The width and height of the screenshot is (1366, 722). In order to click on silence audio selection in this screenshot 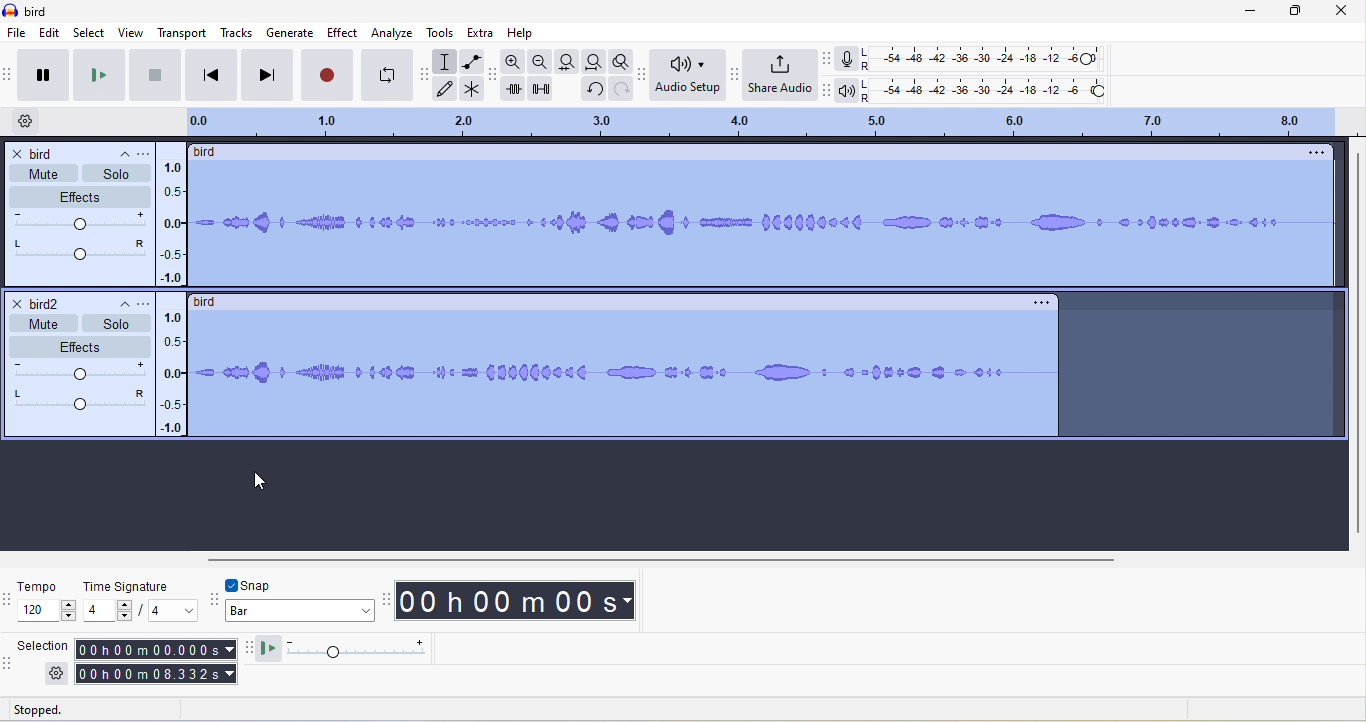, I will do `click(546, 89)`.